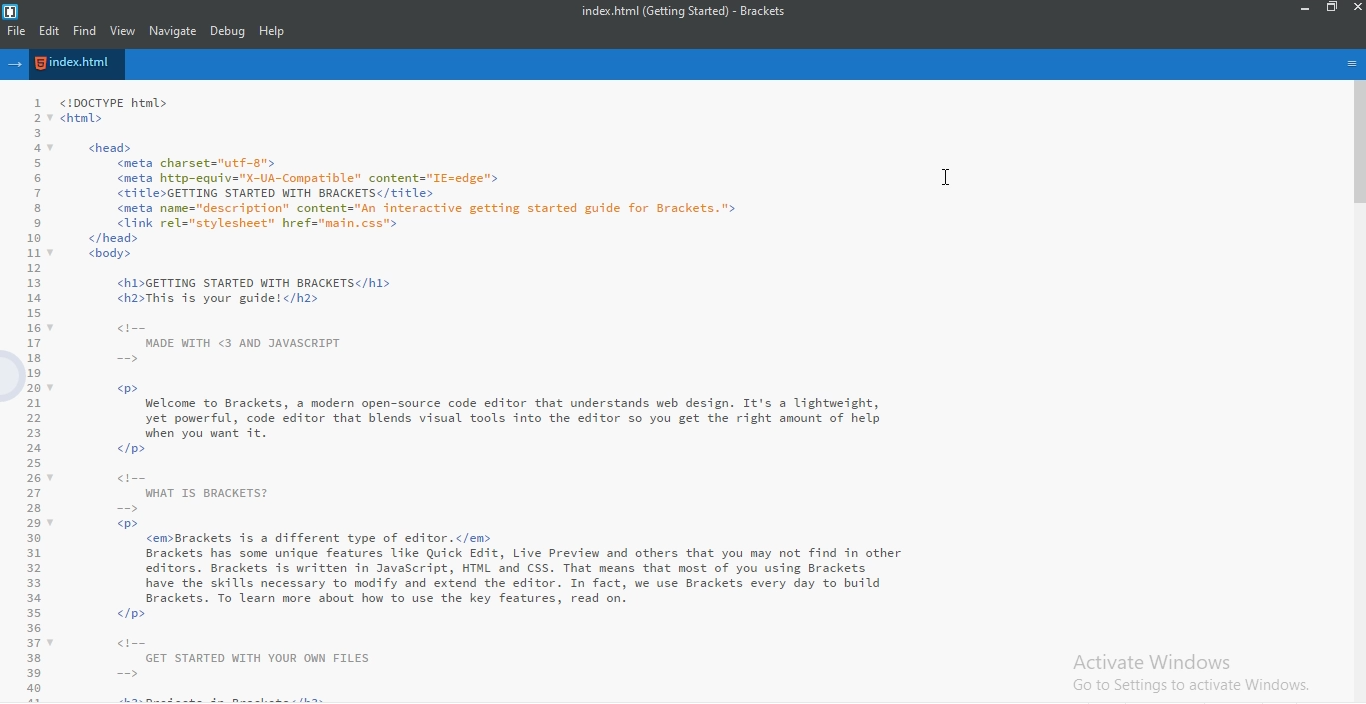  I want to click on logo, so click(12, 10).